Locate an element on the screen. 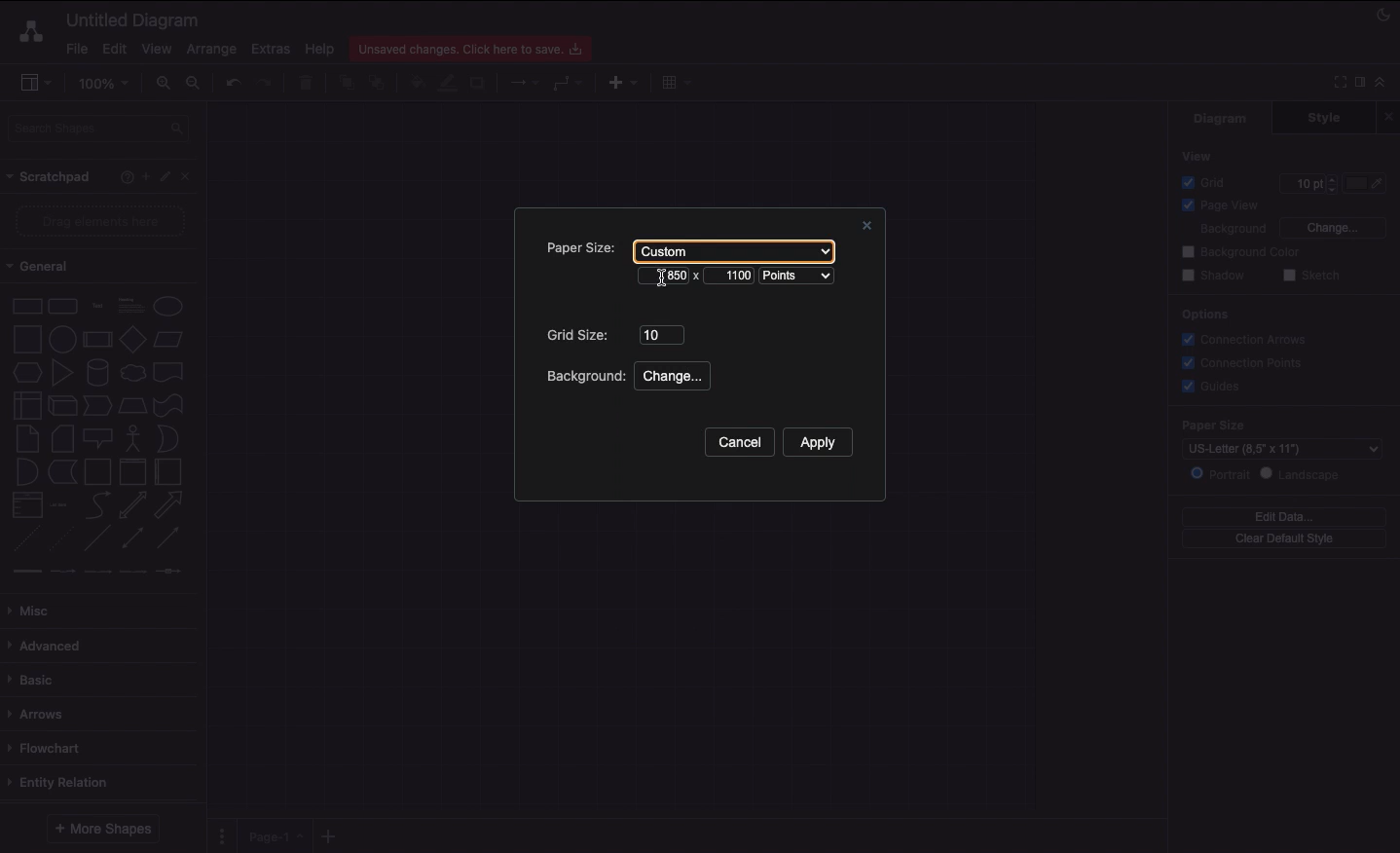  Custom is located at coordinates (731, 249).